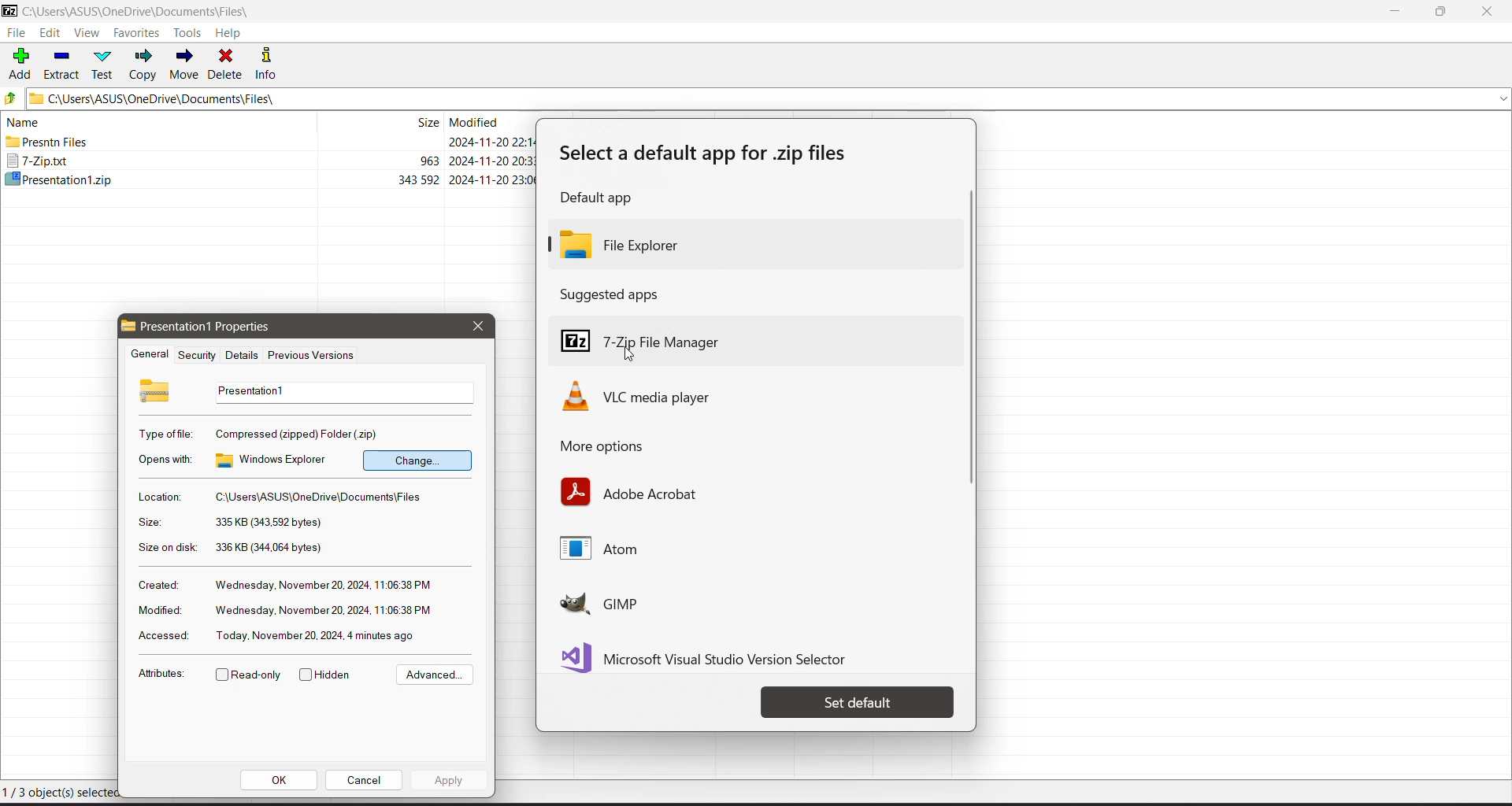 The height and width of the screenshot is (806, 1512). What do you see at coordinates (148, 12) in the screenshot?
I see `Current Folder Path` at bounding box center [148, 12].